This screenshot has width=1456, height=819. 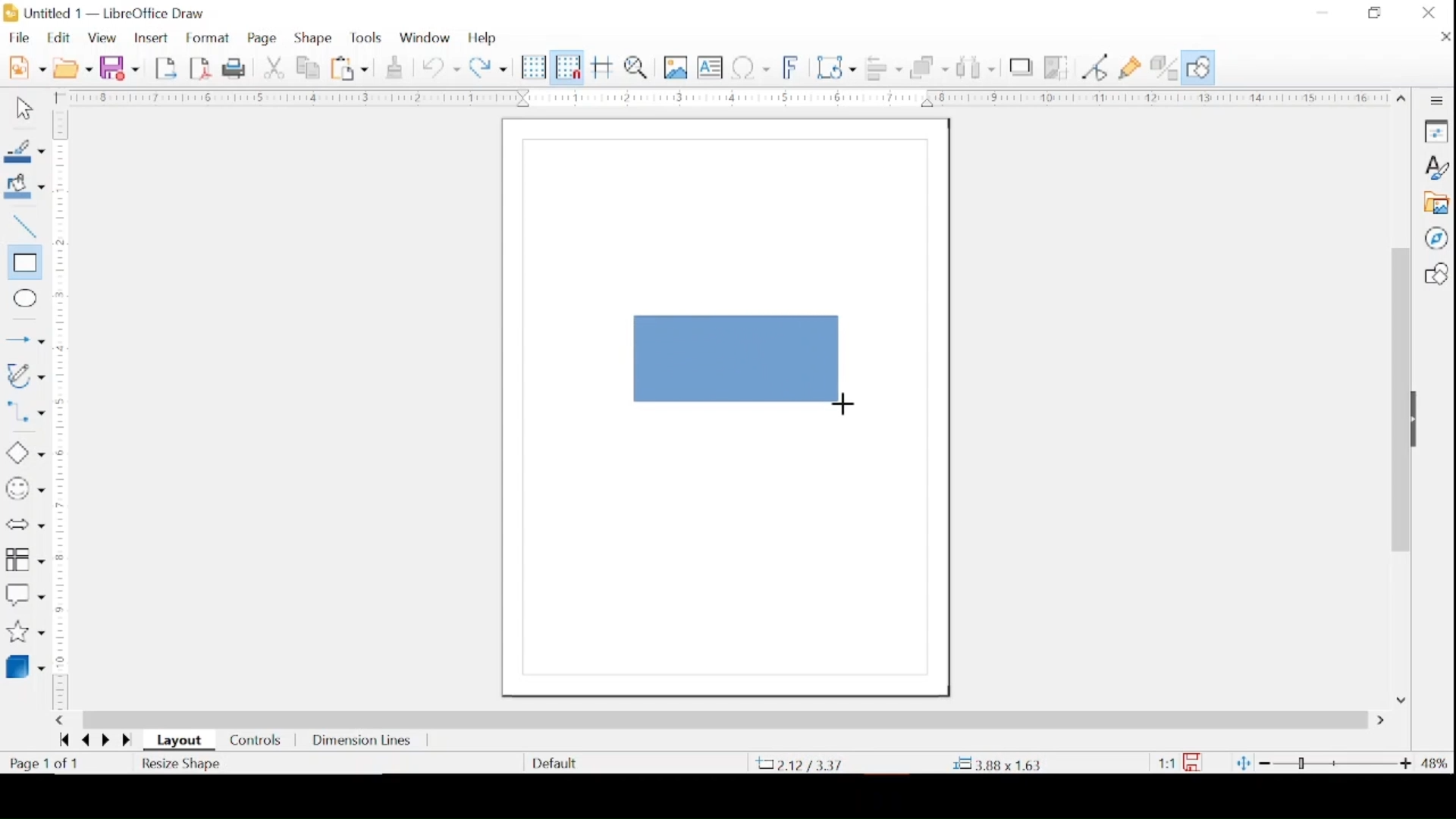 I want to click on this document has been modified, so click(x=1180, y=763).